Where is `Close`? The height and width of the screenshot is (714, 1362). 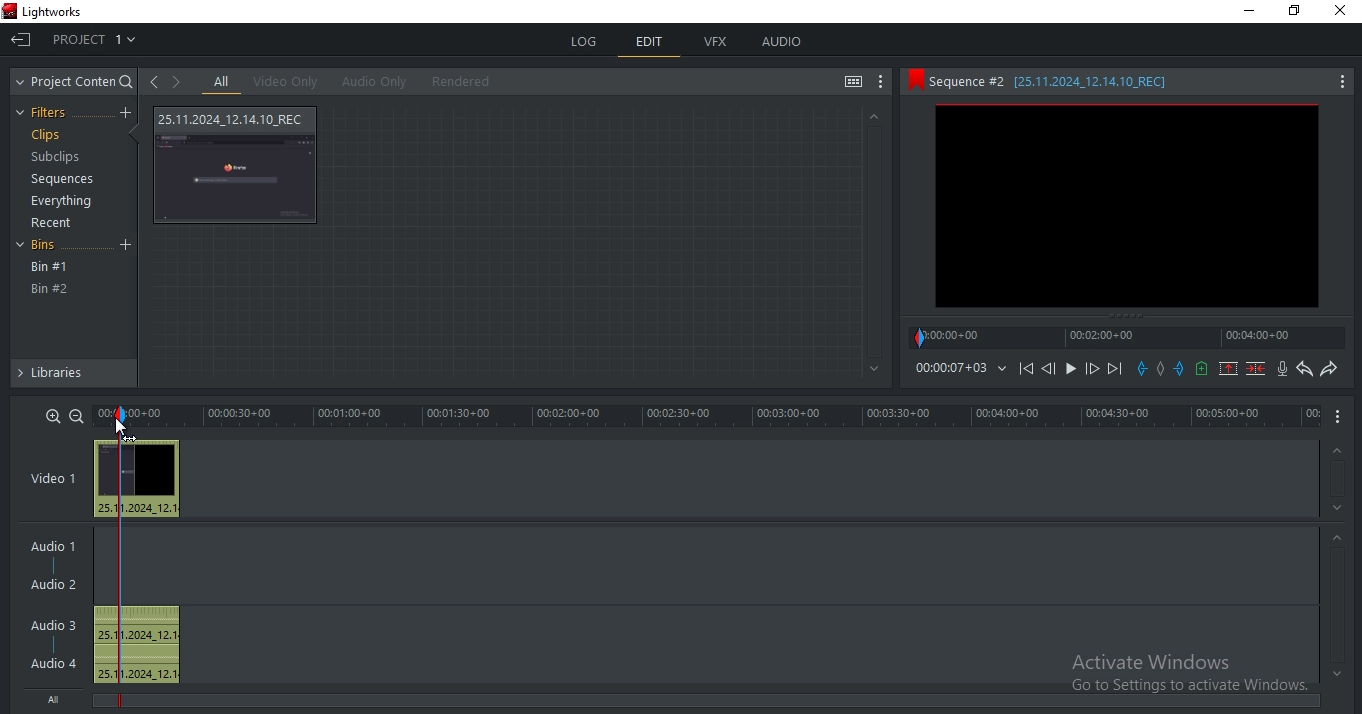 Close is located at coordinates (1343, 16).